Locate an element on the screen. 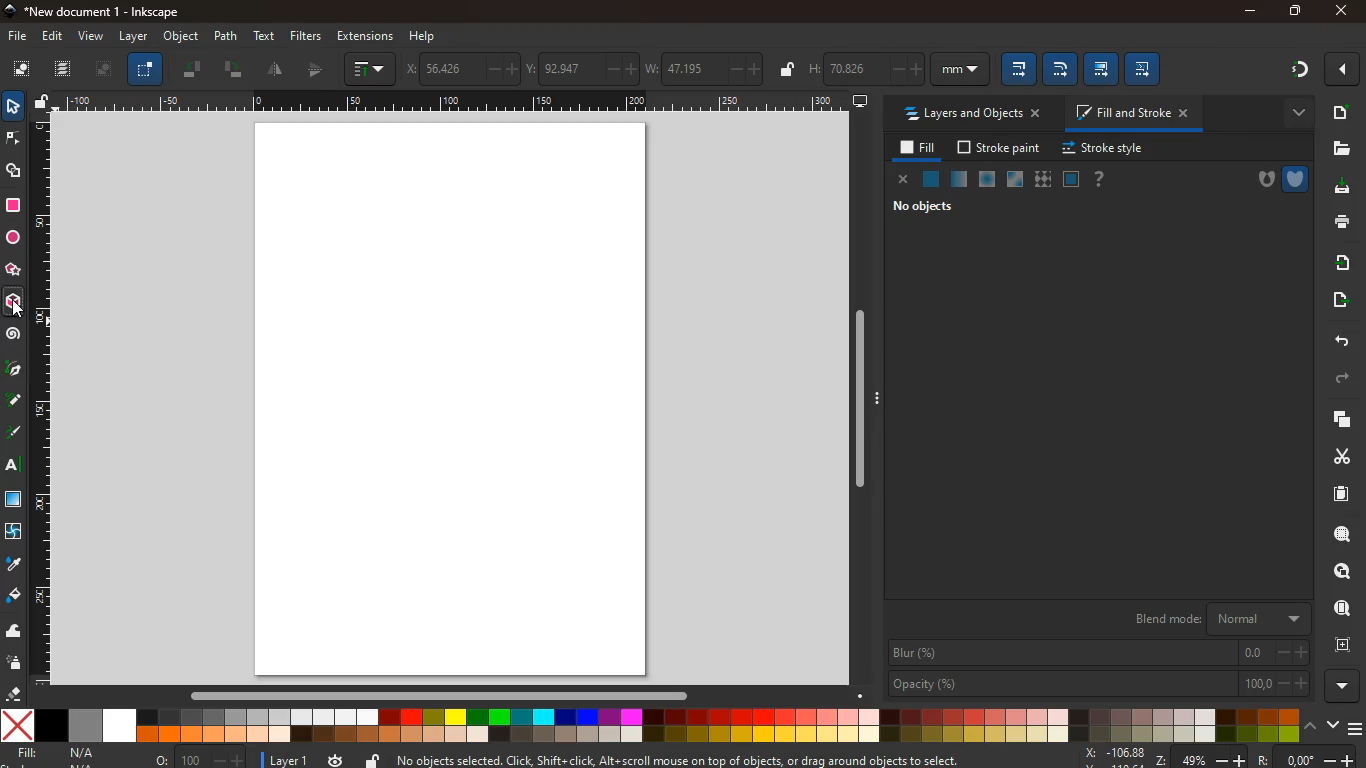 The height and width of the screenshot is (768, 1366). circle is located at coordinates (12, 237).